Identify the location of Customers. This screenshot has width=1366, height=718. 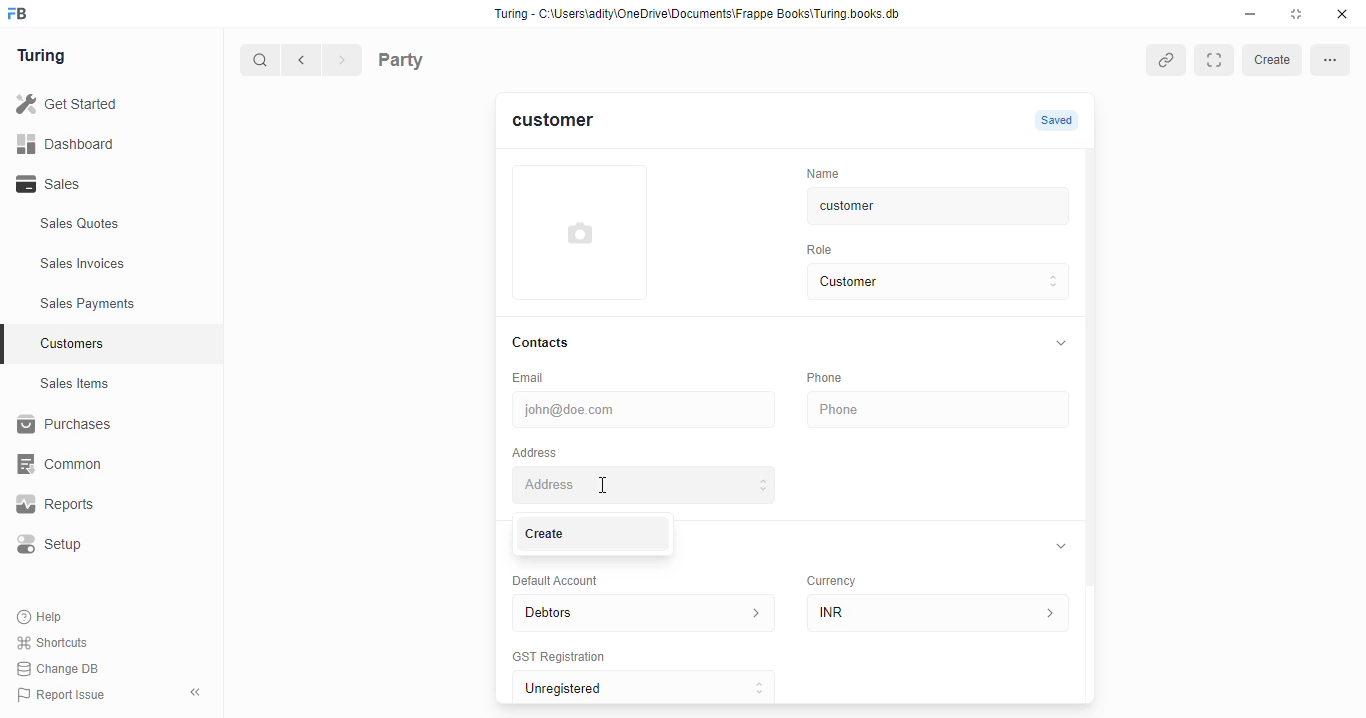
(123, 341).